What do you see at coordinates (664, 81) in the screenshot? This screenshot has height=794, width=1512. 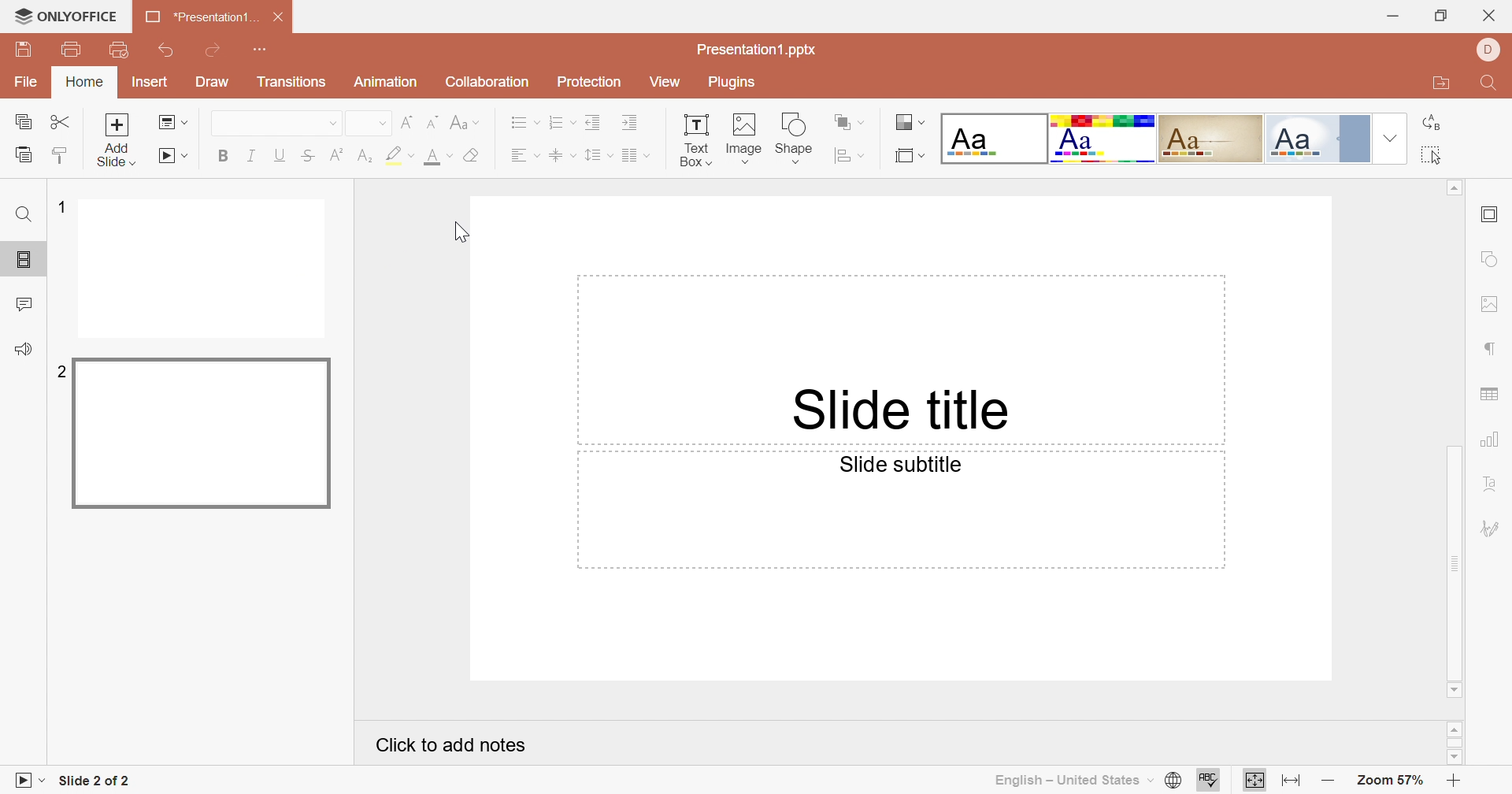 I see `View` at bounding box center [664, 81].